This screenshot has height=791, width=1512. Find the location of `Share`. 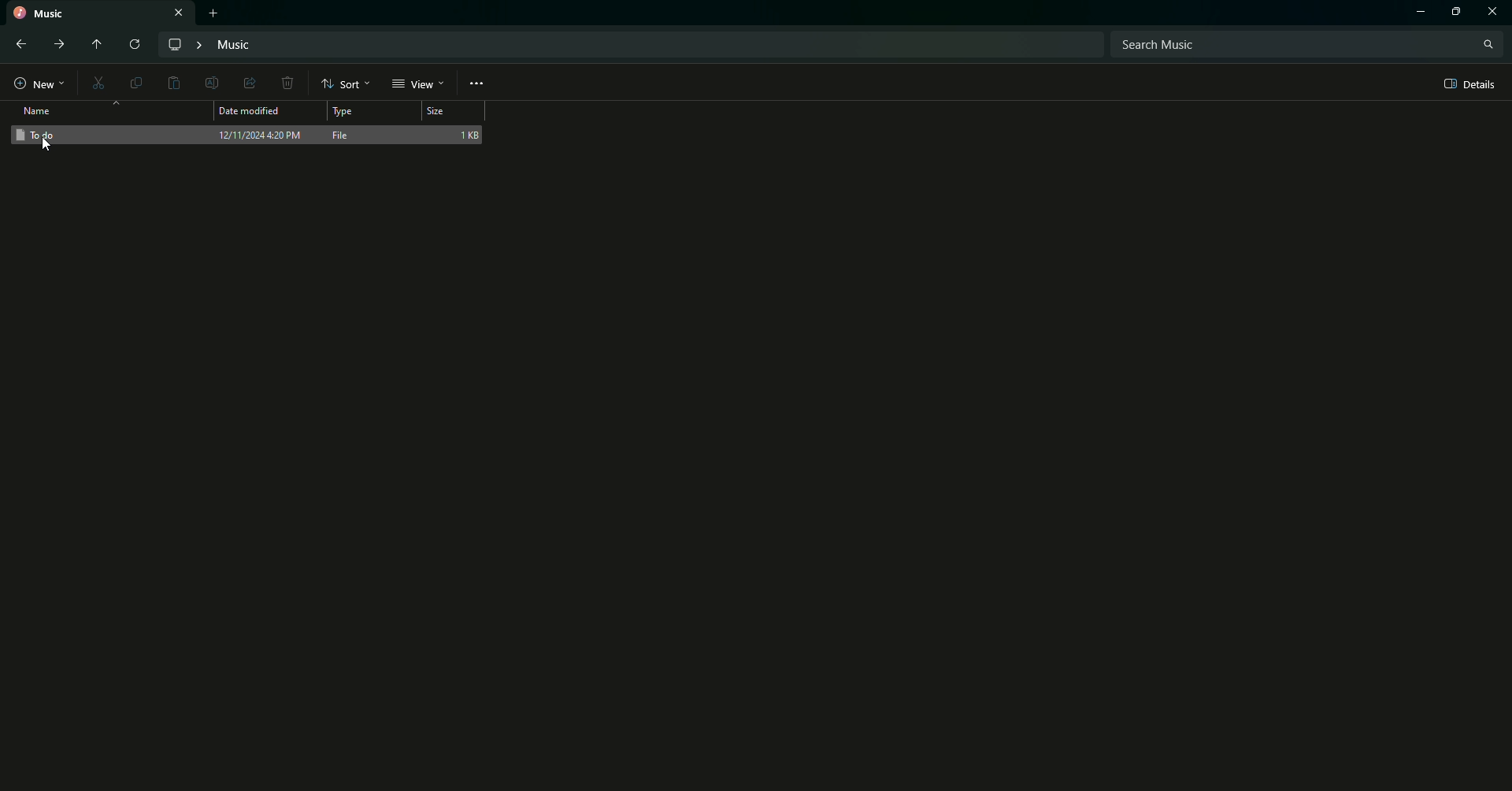

Share is located at coordinates (254, 84).